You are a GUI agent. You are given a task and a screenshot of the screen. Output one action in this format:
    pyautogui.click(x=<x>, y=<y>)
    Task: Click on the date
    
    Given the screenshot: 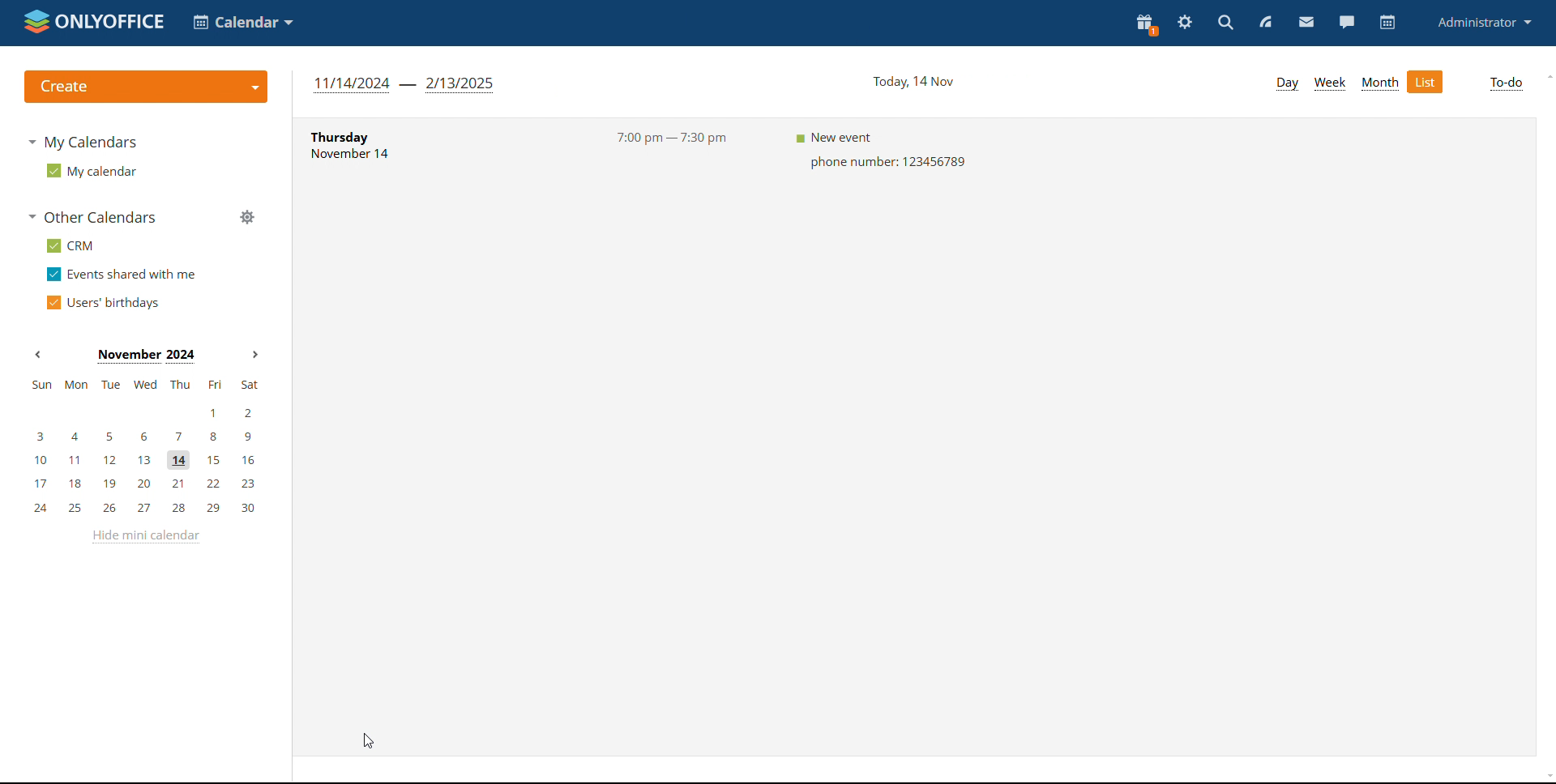 What is the action you would take?
    pyautogui.click(x=908, y=83)
    